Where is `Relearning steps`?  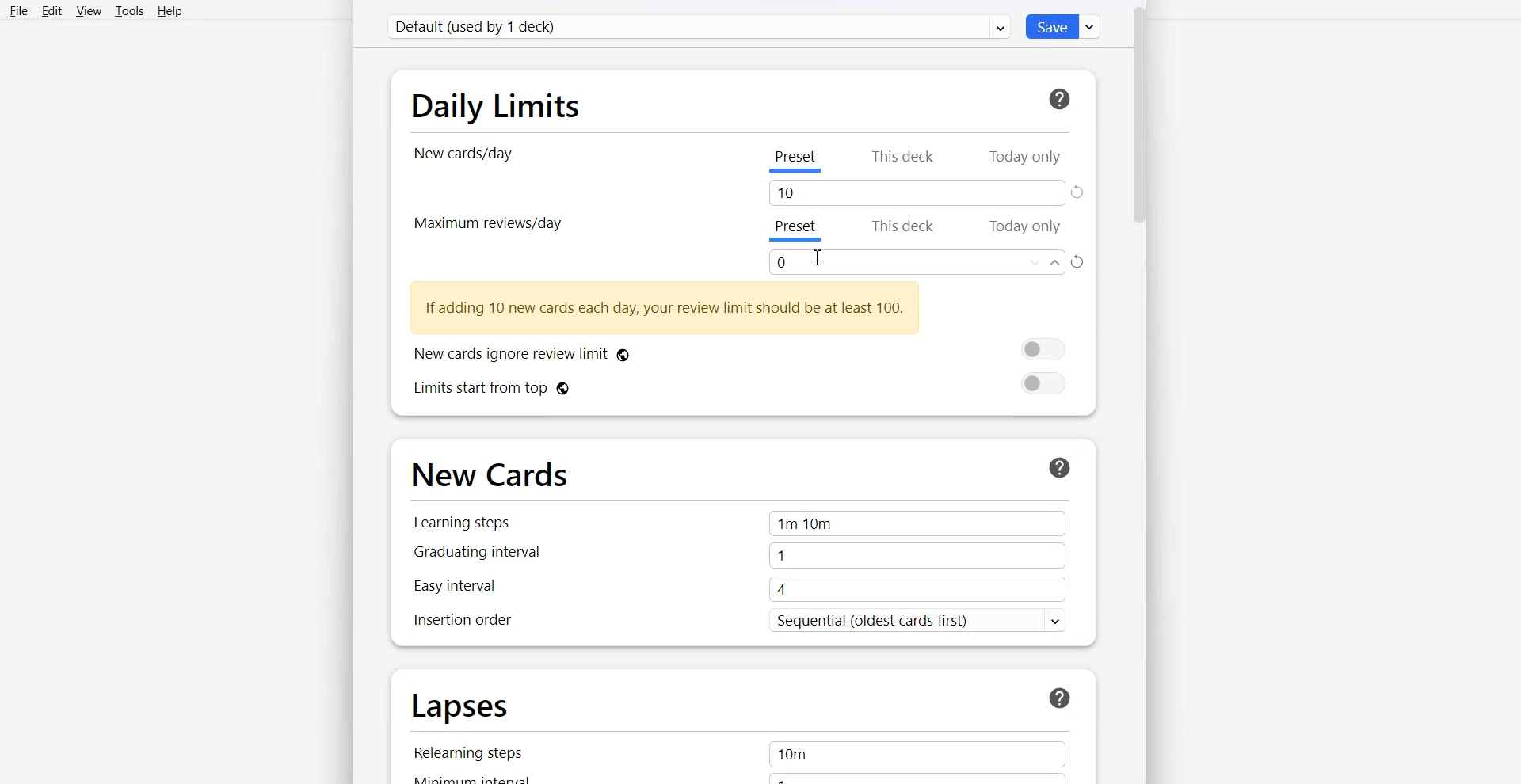 Relearning steps is located at coordinates (741, 753).